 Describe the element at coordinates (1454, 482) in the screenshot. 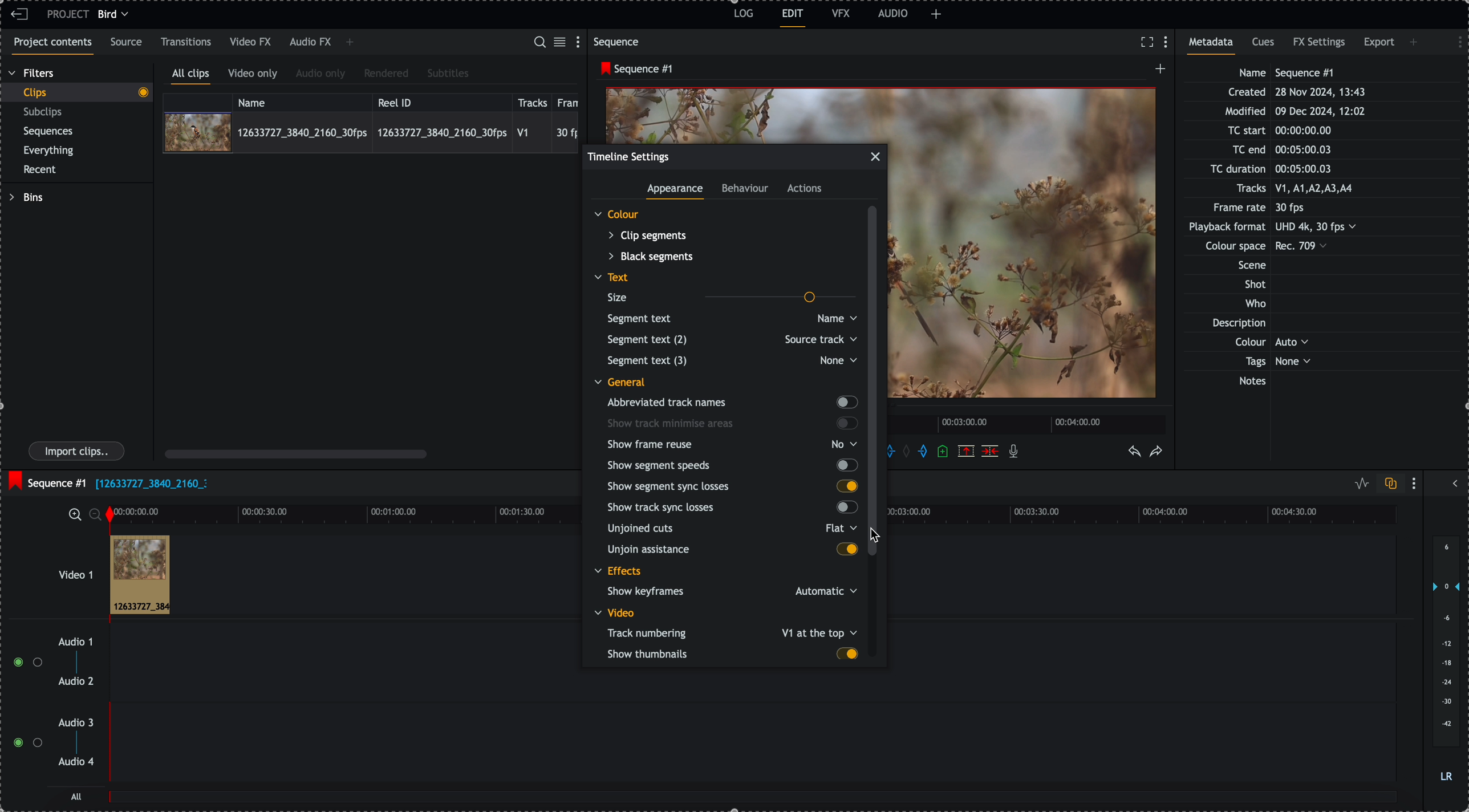

I see `show/hide full audio mix` at that location.